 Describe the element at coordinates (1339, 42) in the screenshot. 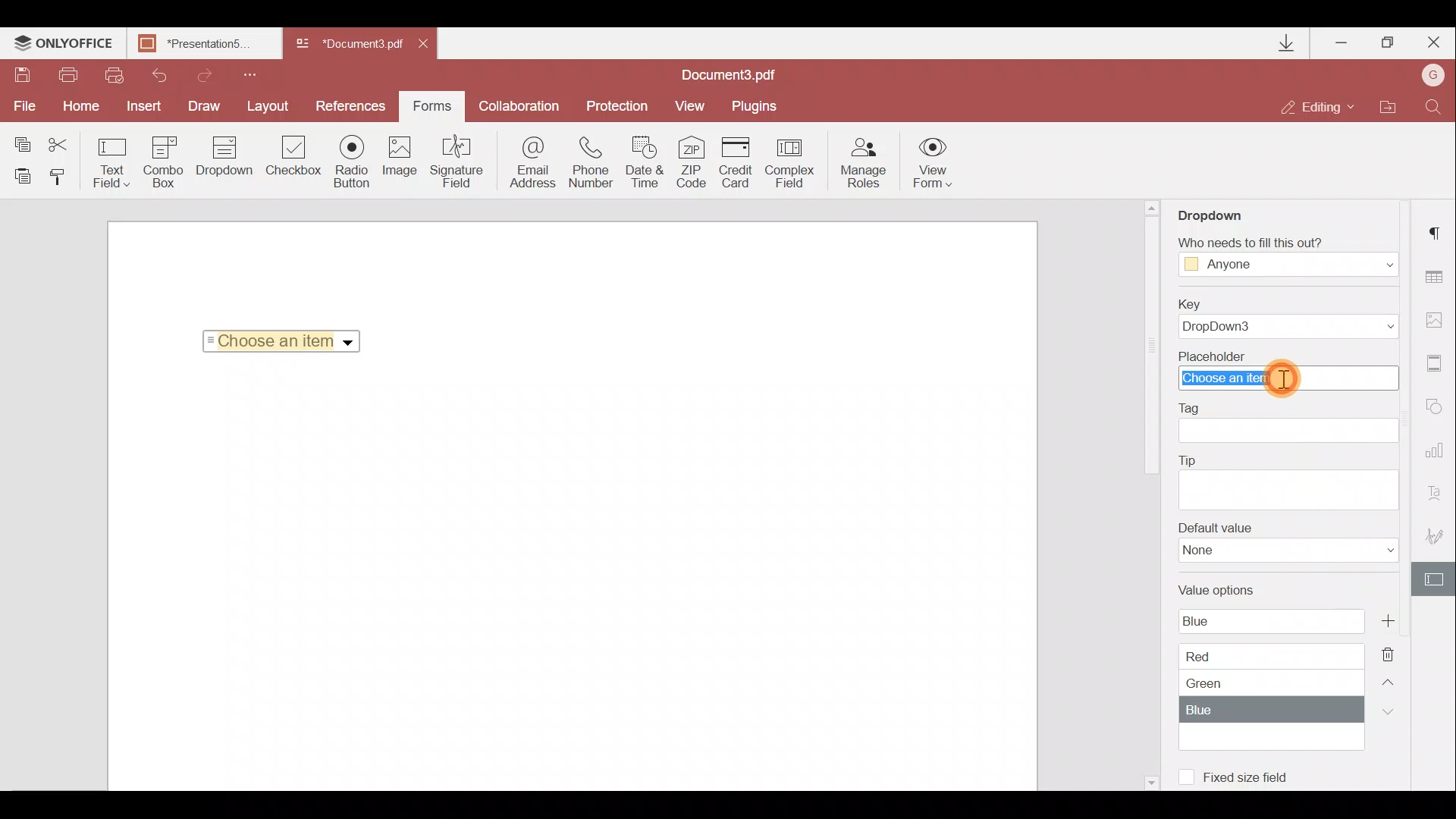

I see `Minimize` at that location.